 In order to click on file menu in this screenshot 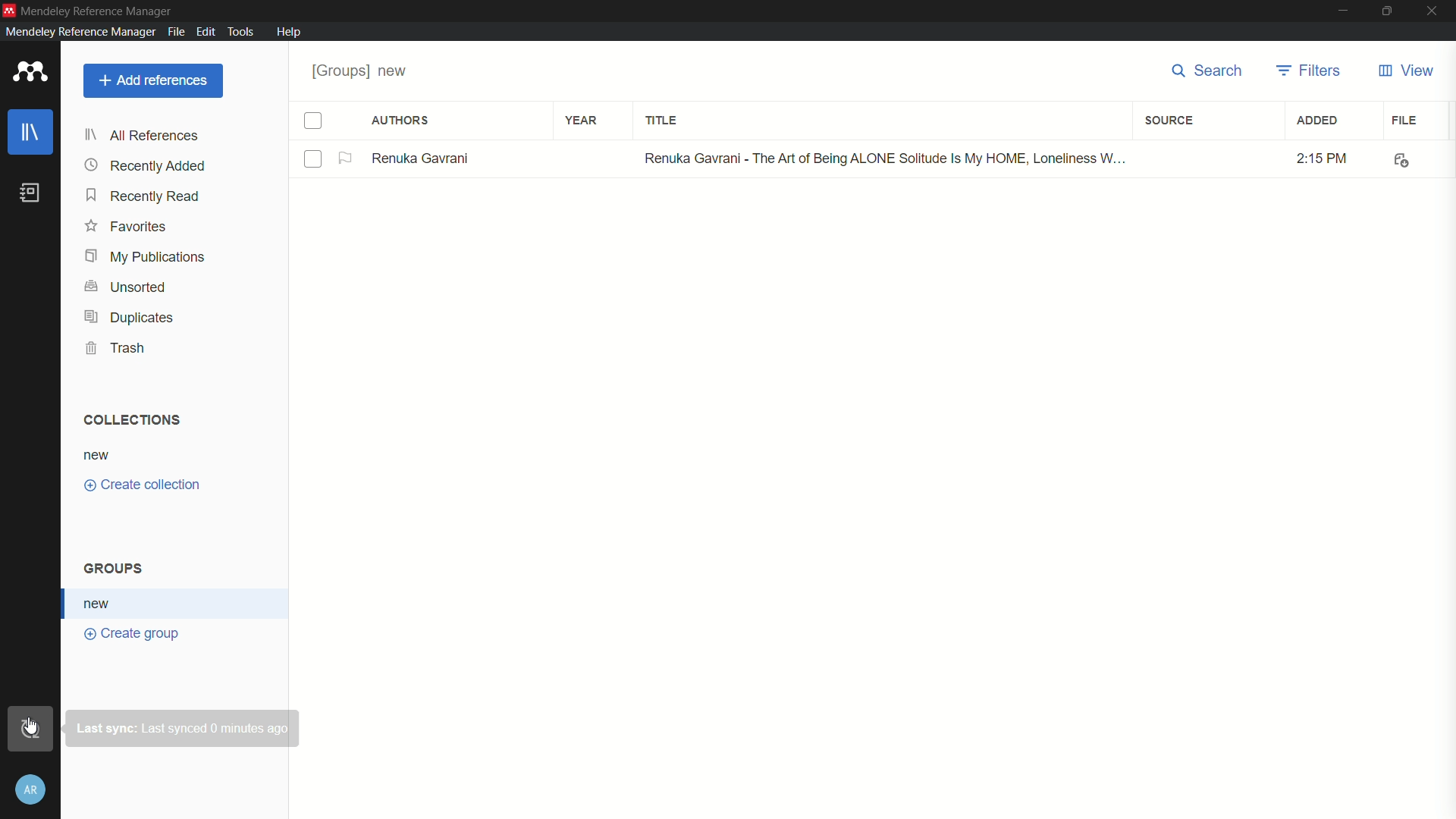, I will do `click(176, 32)`.